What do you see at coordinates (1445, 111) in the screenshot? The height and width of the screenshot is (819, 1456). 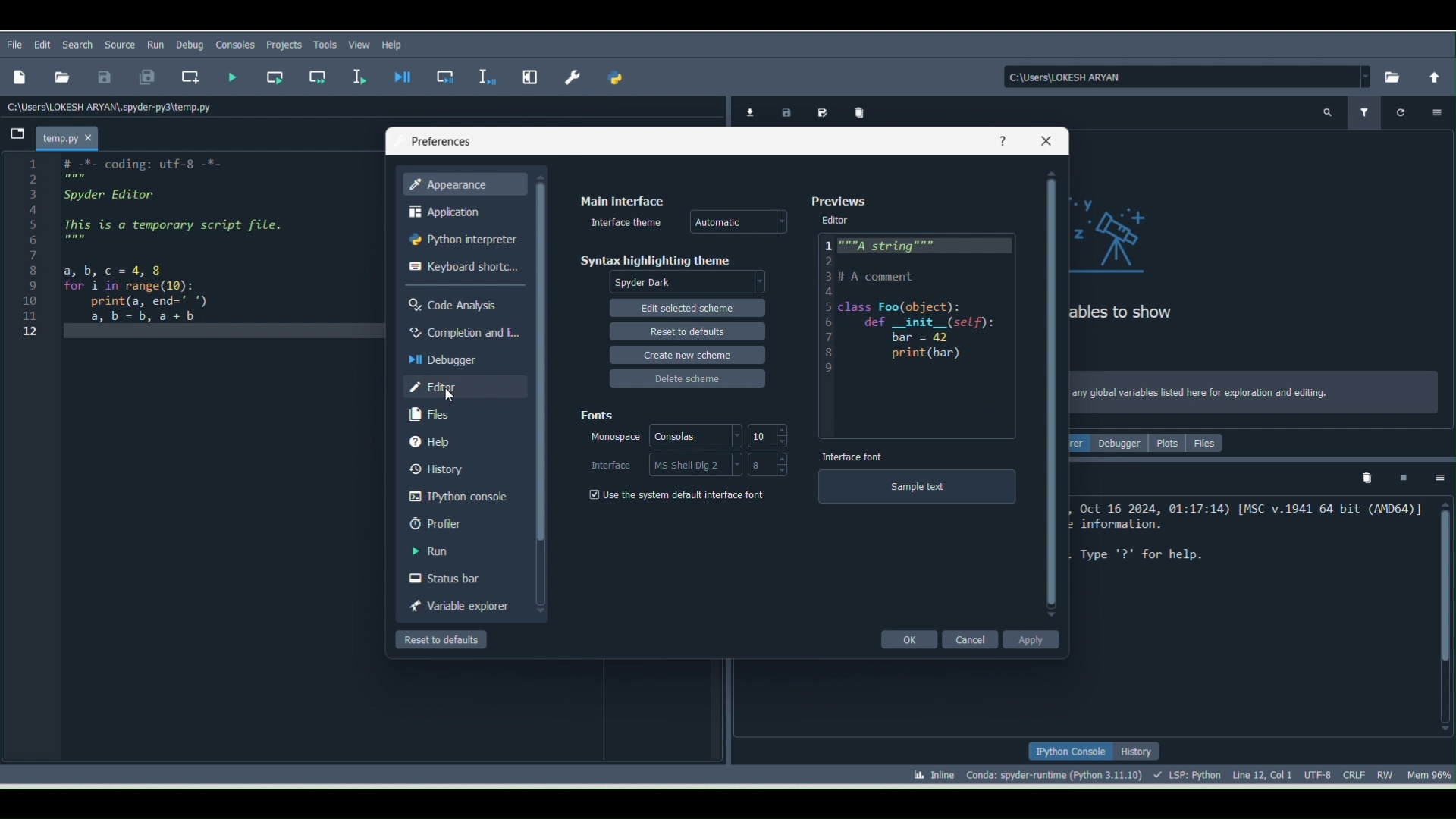 I see `more option` at bounding box center [1445, 111].